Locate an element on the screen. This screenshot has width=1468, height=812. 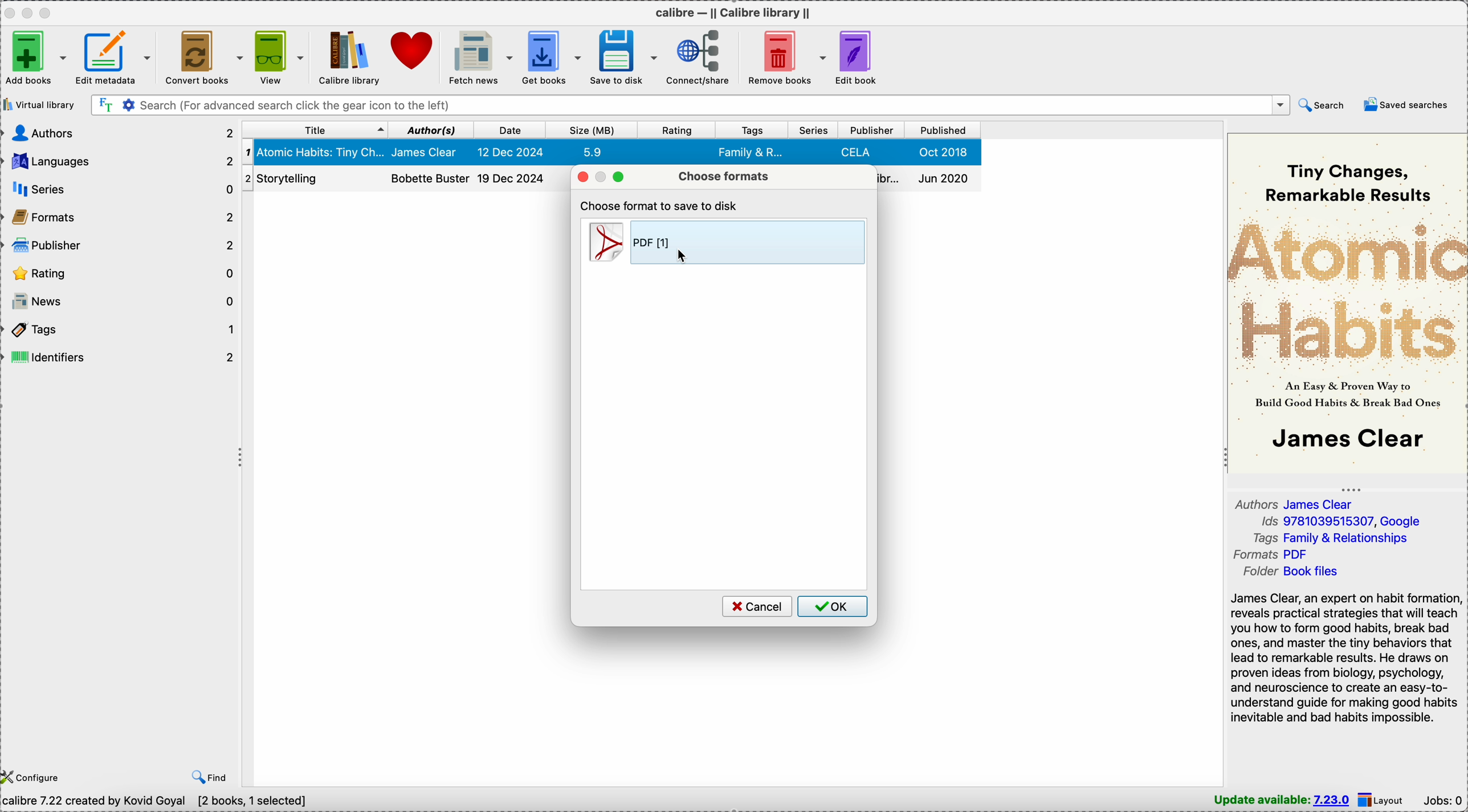
identifiers is located at coordinates (121, 357).